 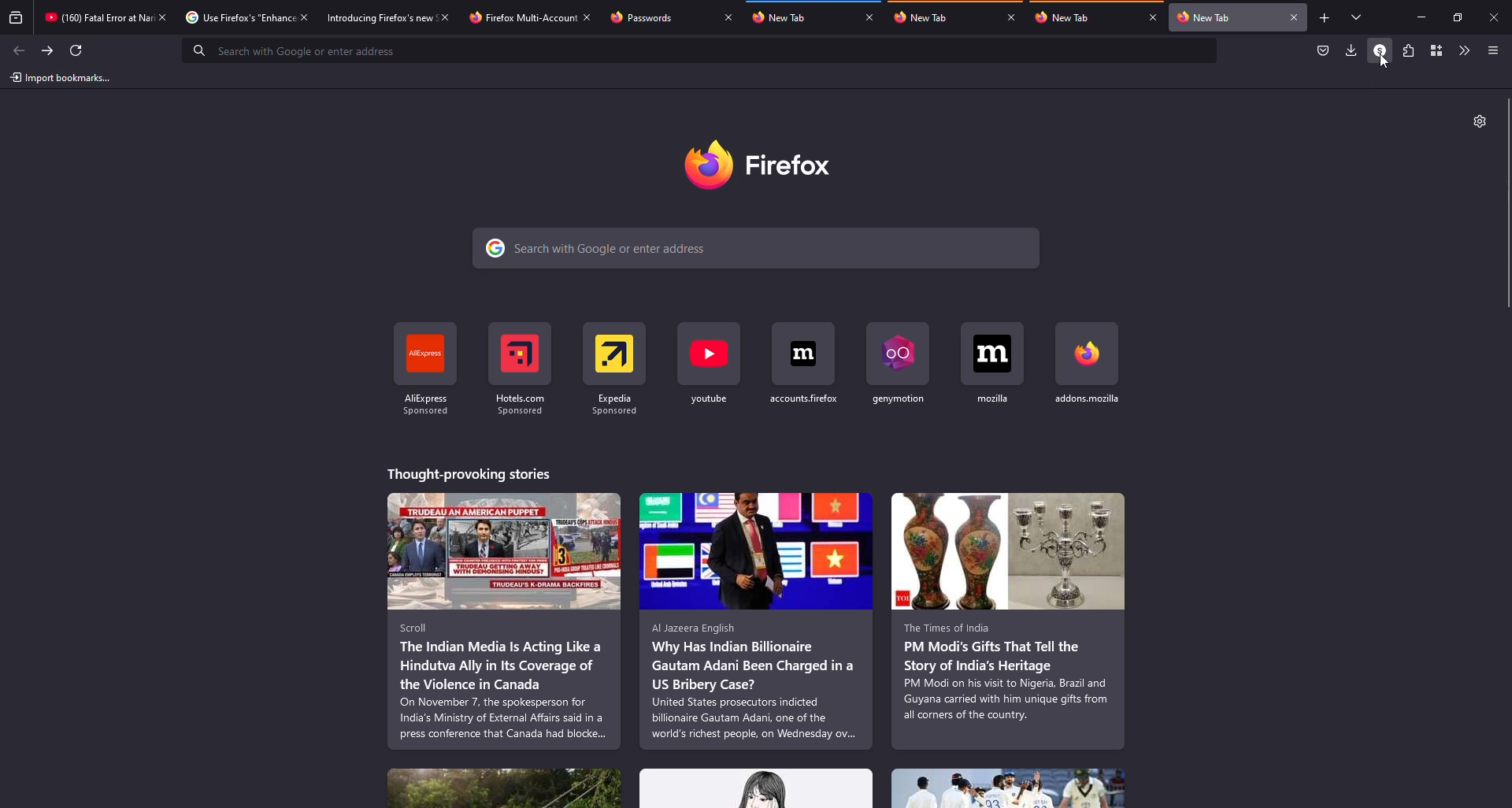 What do you see at coordinates (710, 362) in the screenshot?
I see `shortcut` at bounding box center [710, 362].